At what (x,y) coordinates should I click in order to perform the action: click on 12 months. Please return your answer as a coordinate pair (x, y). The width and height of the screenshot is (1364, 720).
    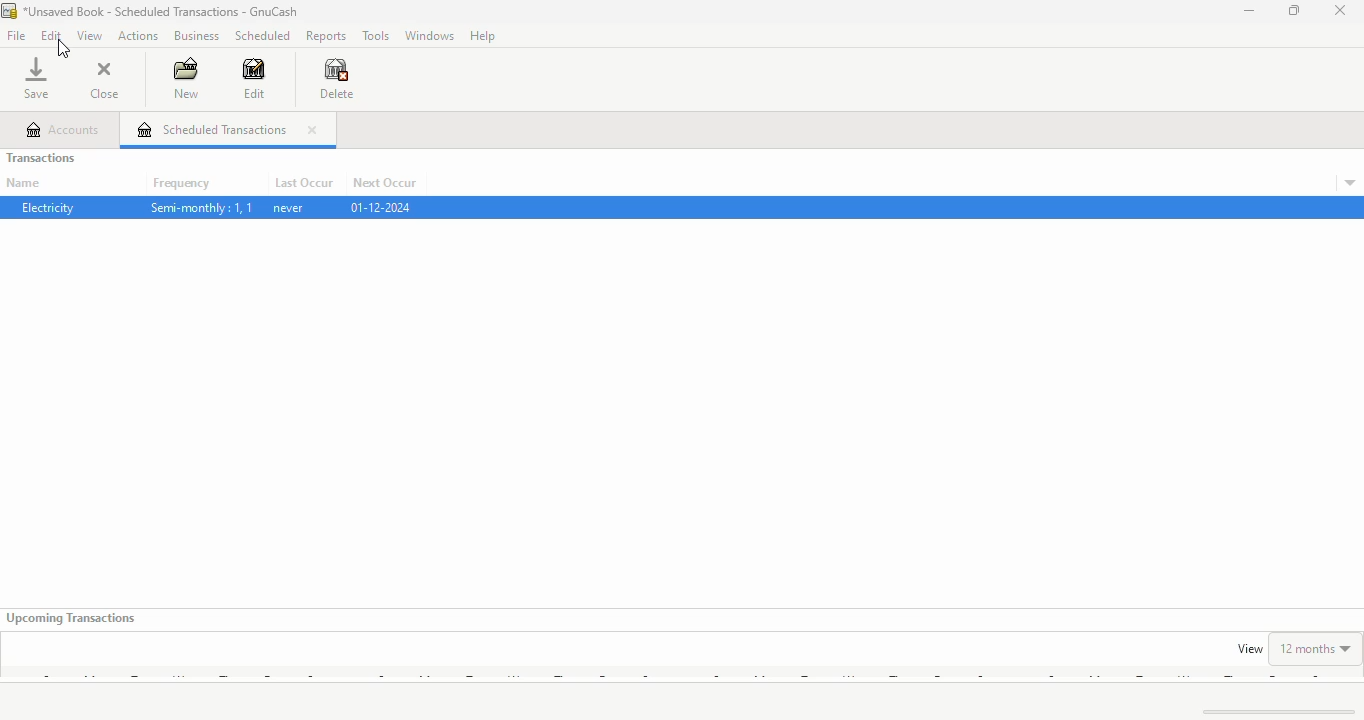
    Looking at the image, I should click on (1316, 648).